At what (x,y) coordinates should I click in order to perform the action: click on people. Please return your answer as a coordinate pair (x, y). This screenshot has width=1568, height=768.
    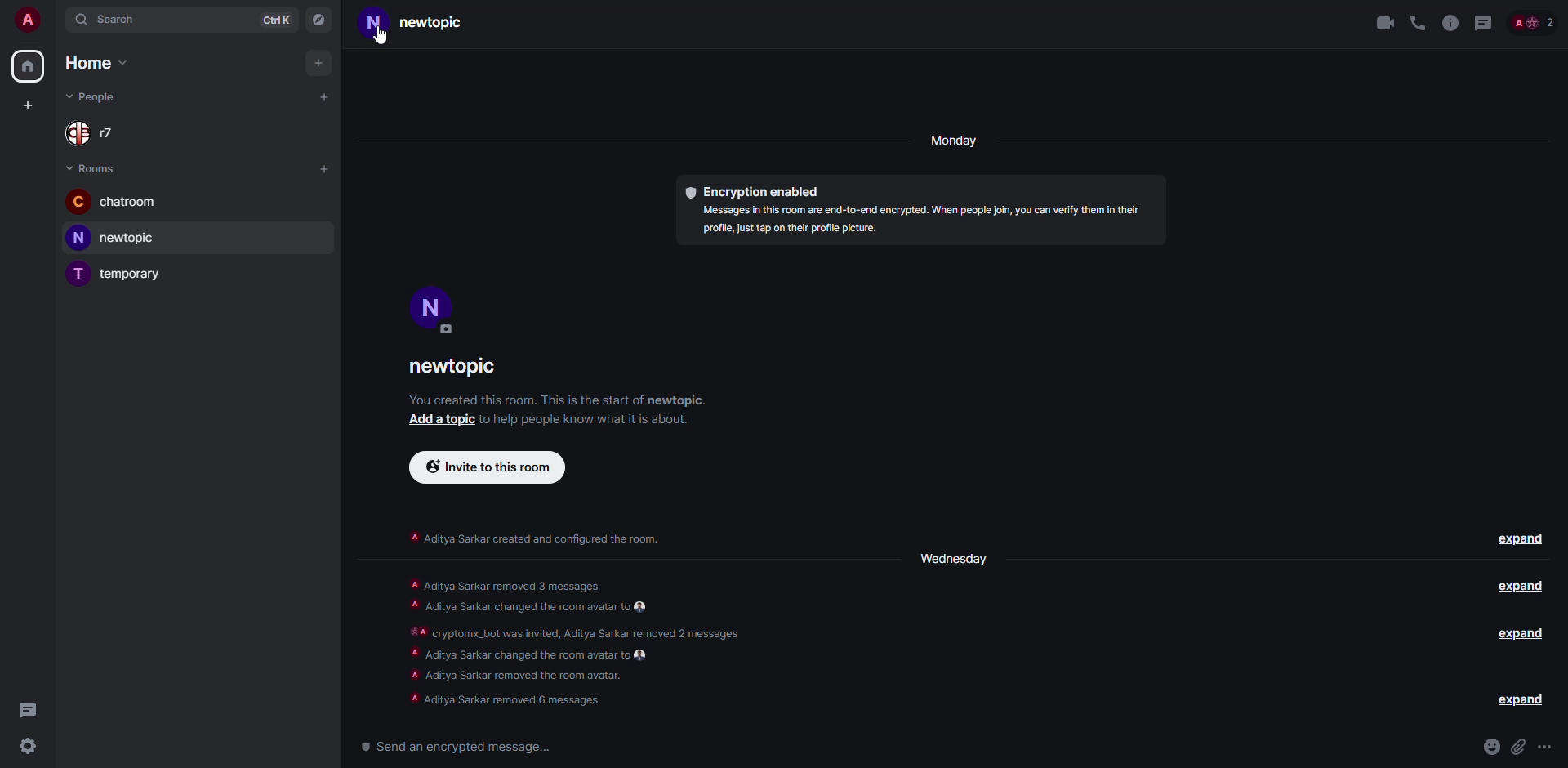
    Looking at the image, I should click on (99, 135).